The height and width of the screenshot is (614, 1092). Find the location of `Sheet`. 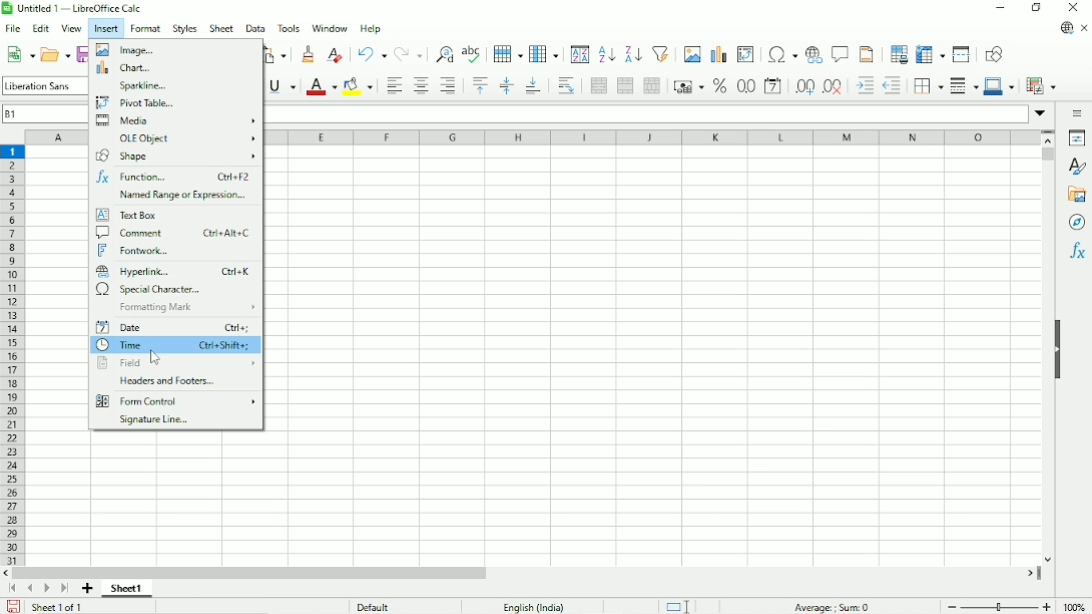

Sheet is located at coordinates (222, 28).